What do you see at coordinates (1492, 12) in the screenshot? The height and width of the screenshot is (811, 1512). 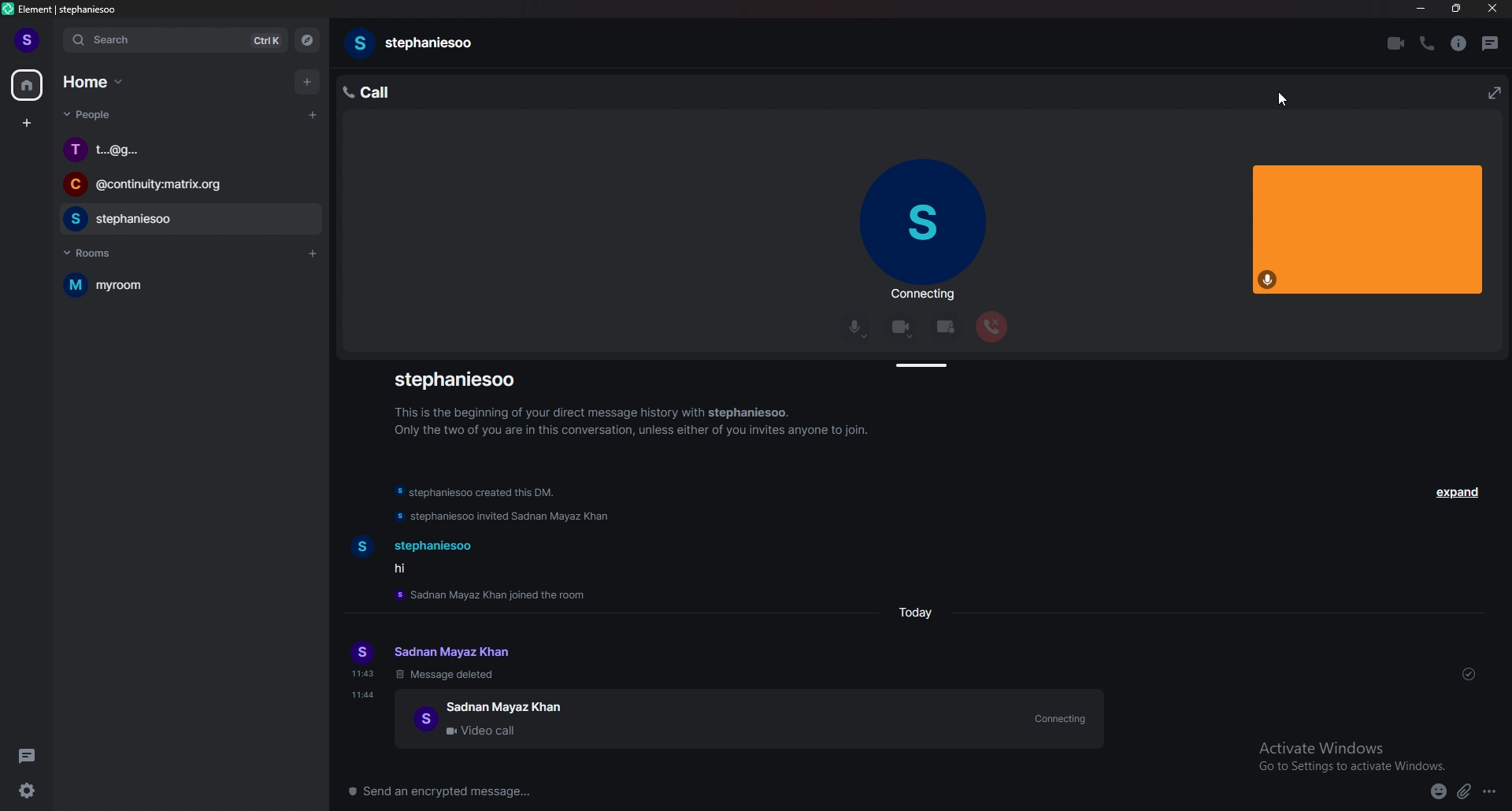 I see `close` at bounding box center [1492, 12].